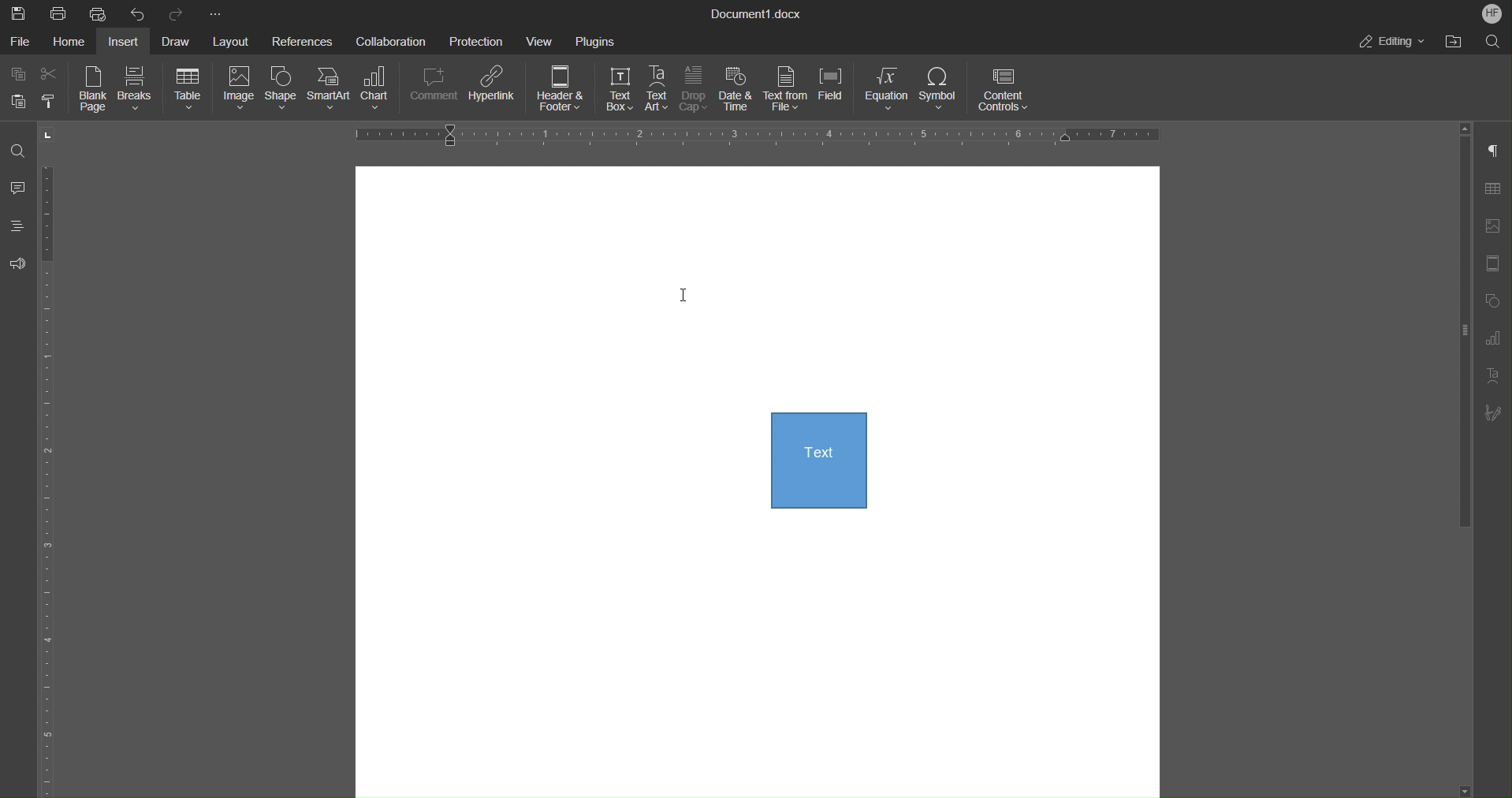 The image size is (1512, 798). I want to click on Cut, so click(54, 74).